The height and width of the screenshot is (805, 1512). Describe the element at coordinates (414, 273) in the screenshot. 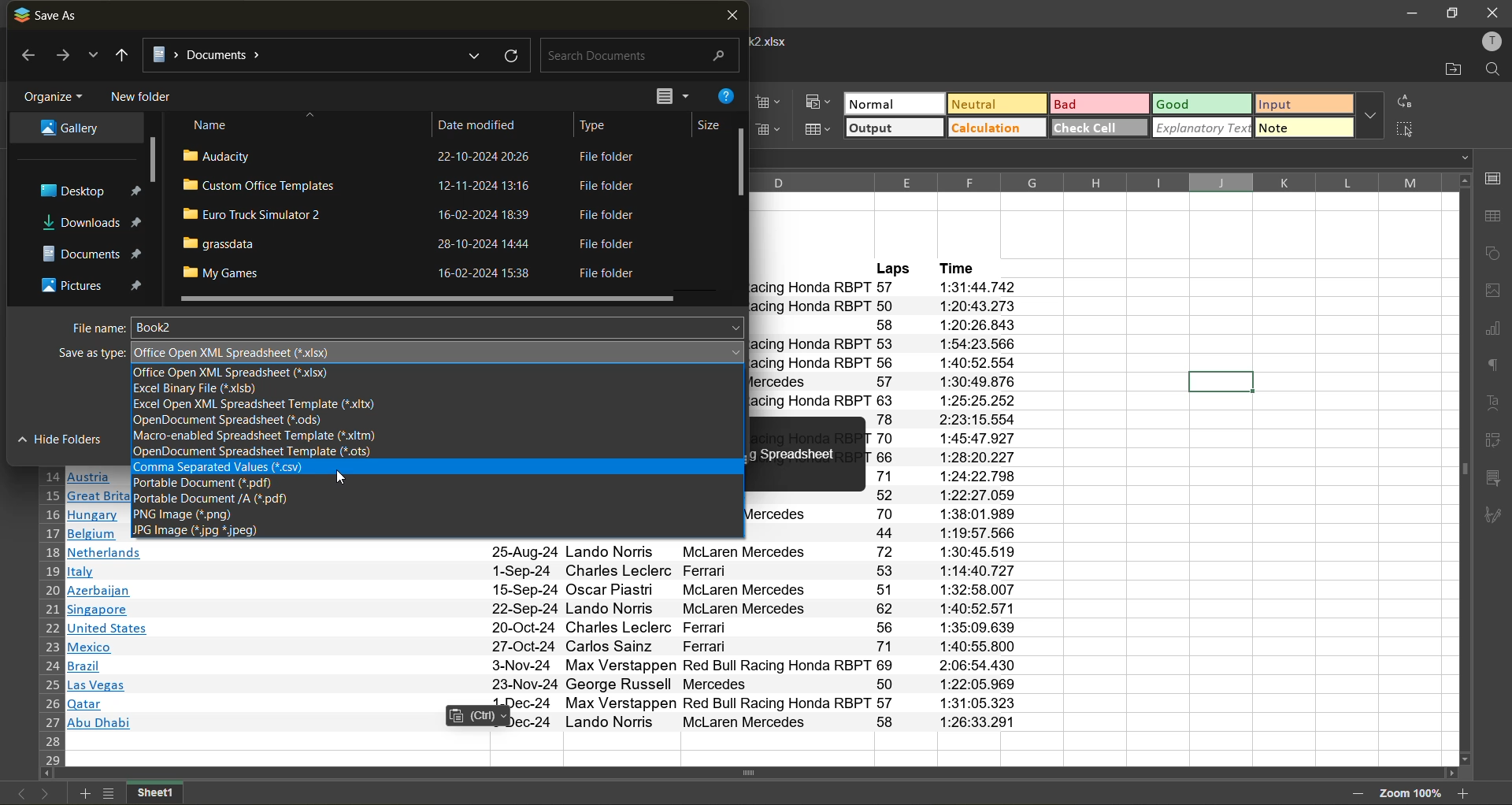

I see `file` at that location.